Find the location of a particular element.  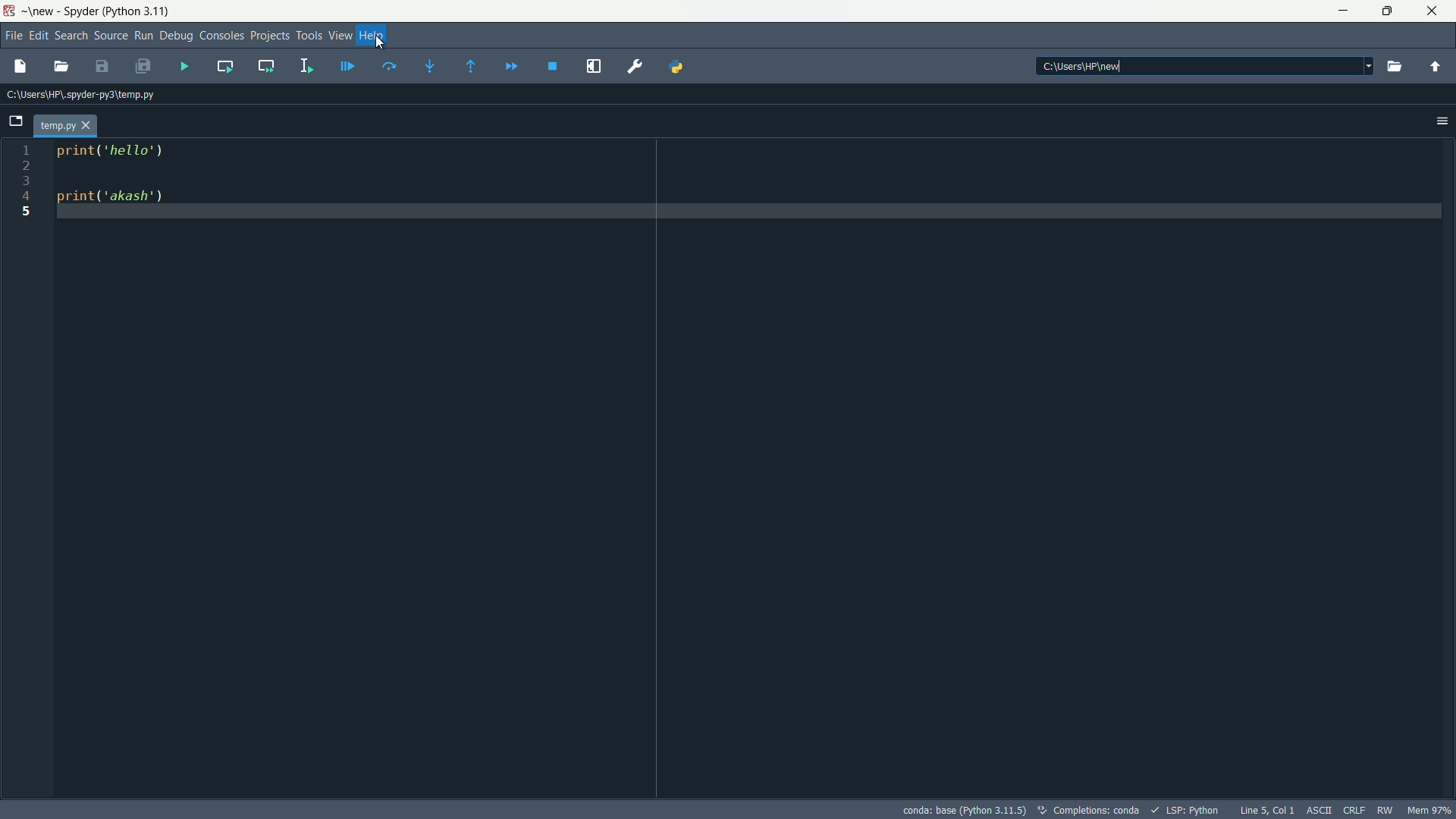

search menu is located at coordinates (71, 36).